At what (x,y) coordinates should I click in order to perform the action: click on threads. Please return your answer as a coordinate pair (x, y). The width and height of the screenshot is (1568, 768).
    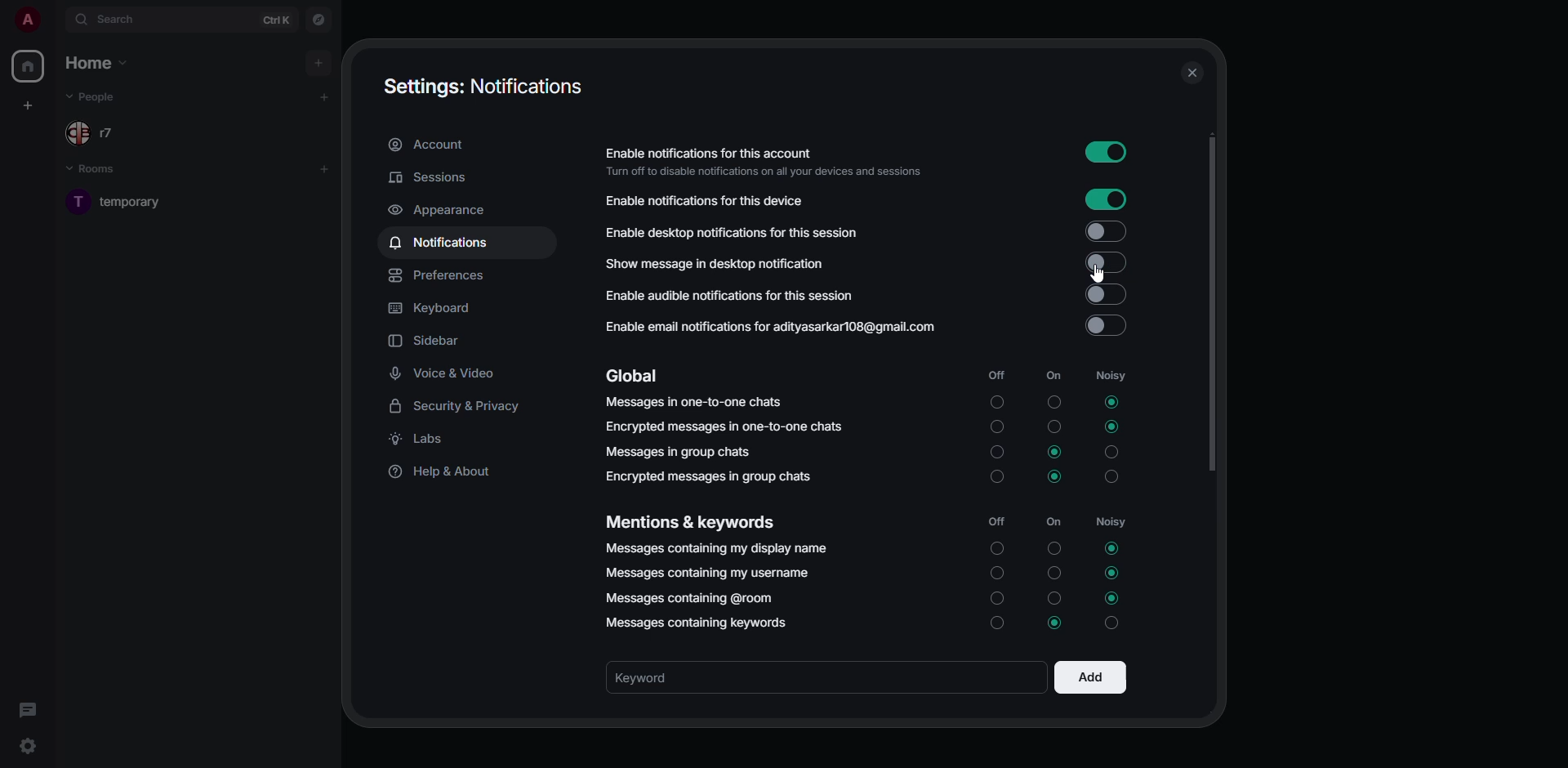
    Looking at the image, I should click on (27, 709).